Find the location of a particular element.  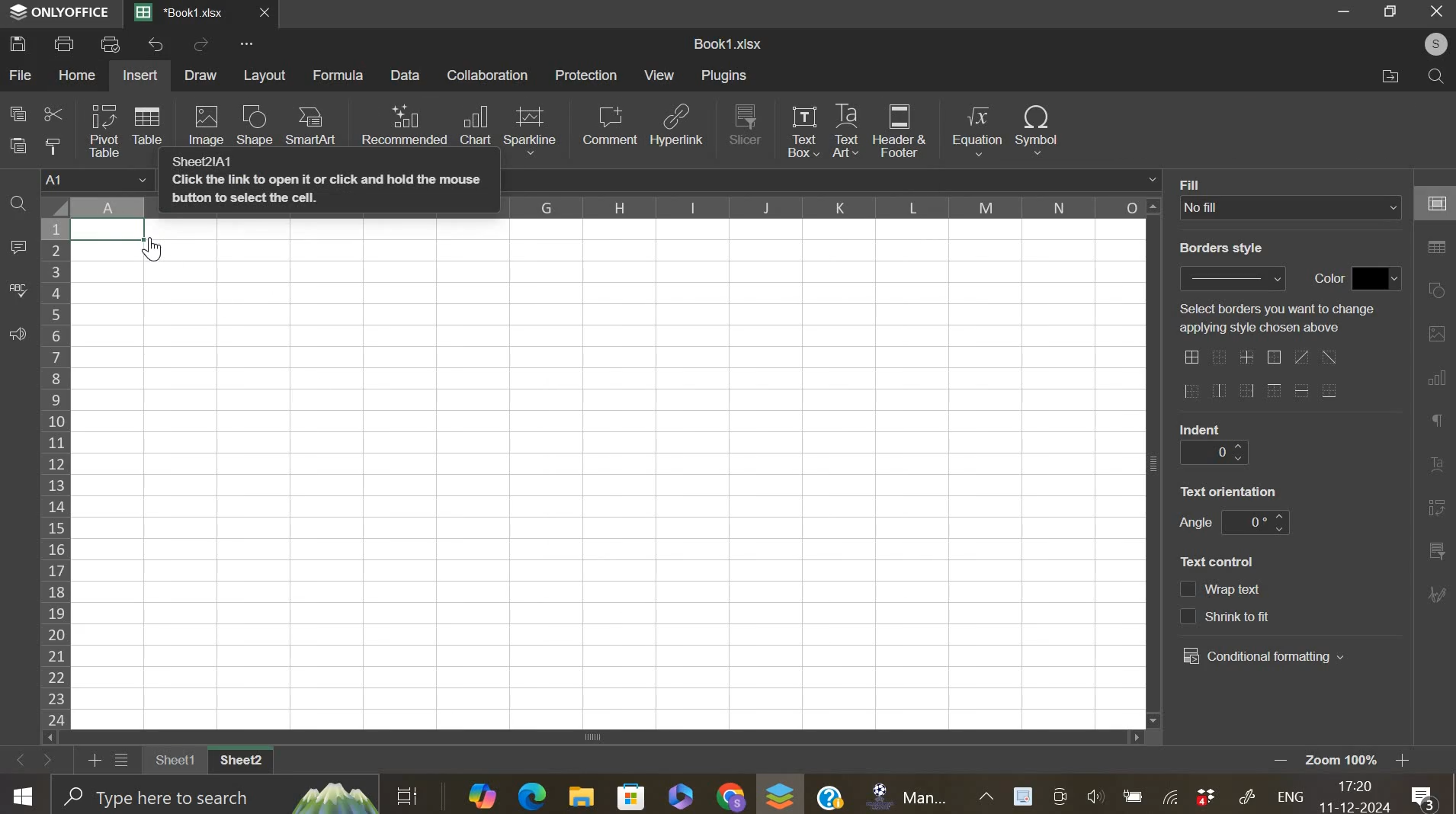

Minimize is located at coordinates (1346, 14).